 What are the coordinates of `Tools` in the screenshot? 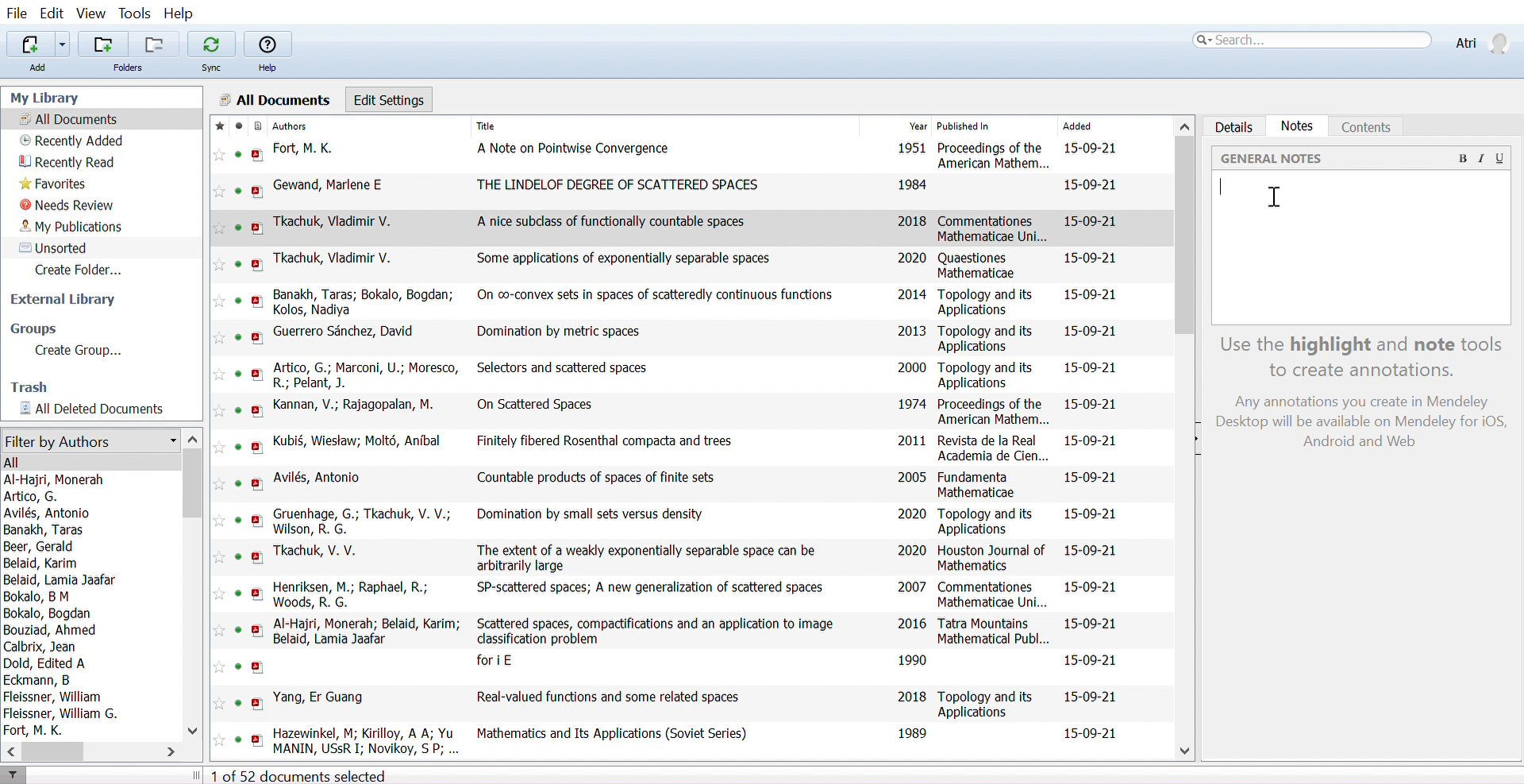 It's located at (136, 14).